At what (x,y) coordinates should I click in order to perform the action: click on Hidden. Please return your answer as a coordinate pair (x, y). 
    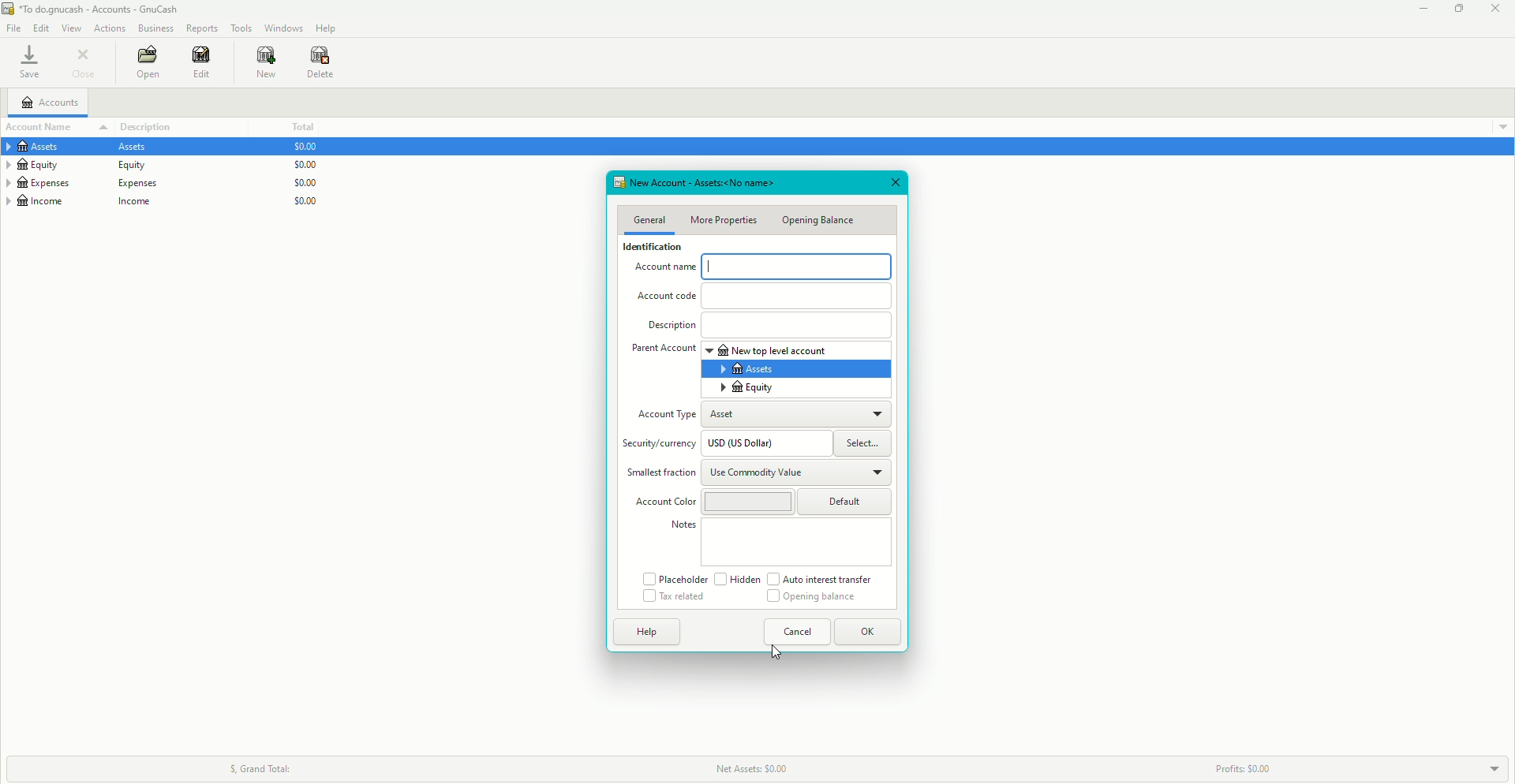
    Looking at the image, I should click on (736, 579).